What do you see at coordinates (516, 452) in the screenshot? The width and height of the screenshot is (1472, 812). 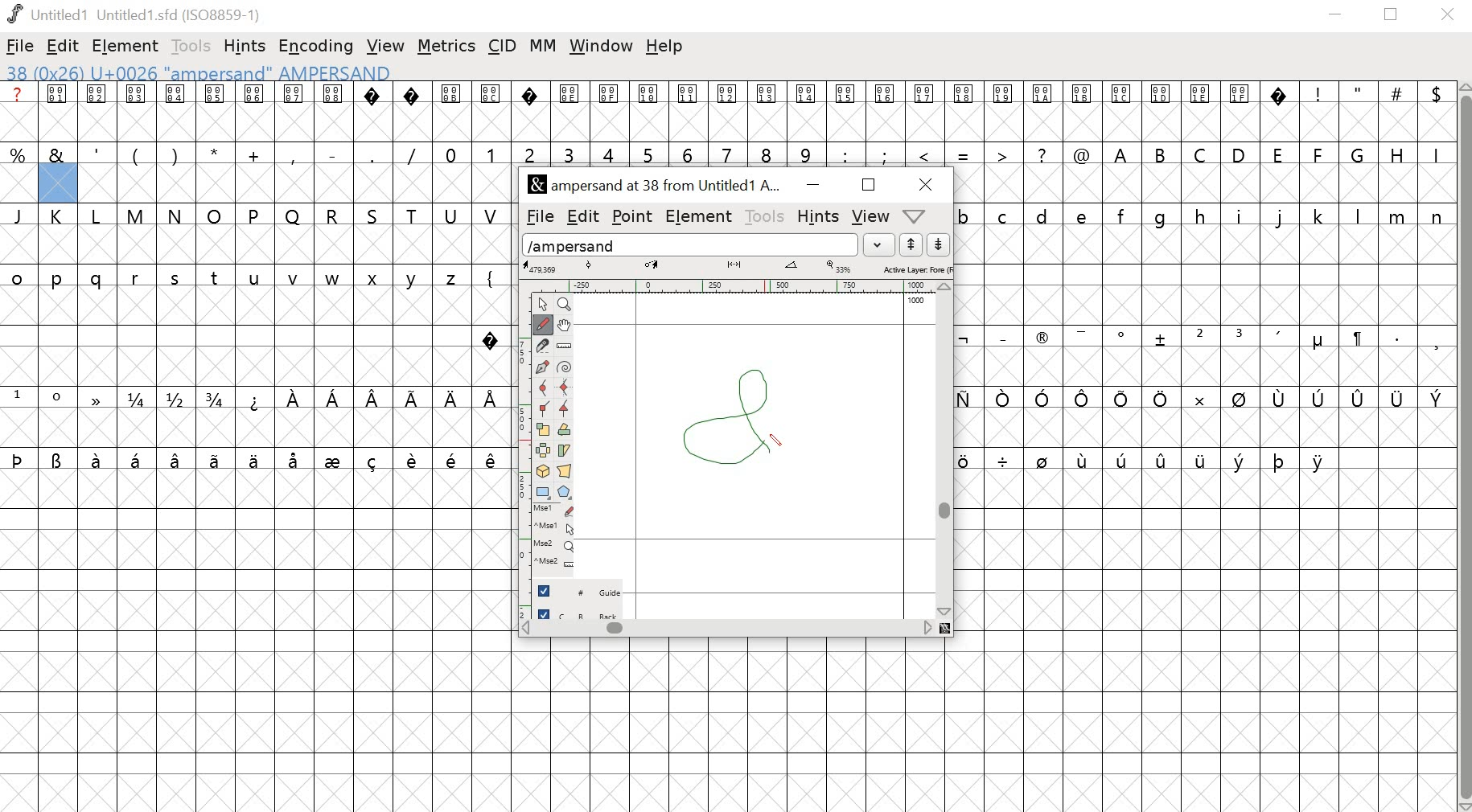 I see `vertical ruler` at bounding box center [516, 452].